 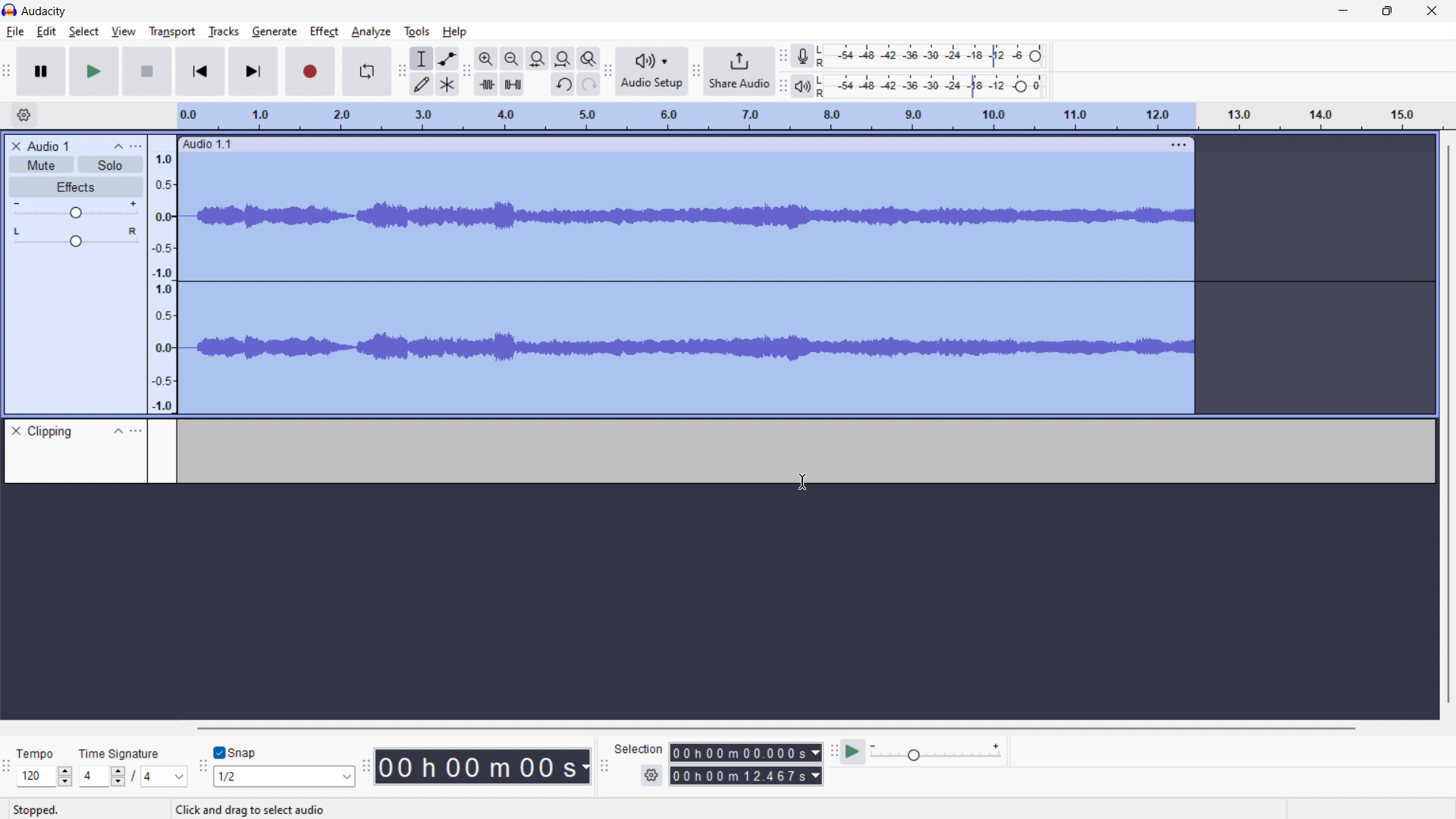 I want to click on snapping toolbar, so click(x=202, y=766).